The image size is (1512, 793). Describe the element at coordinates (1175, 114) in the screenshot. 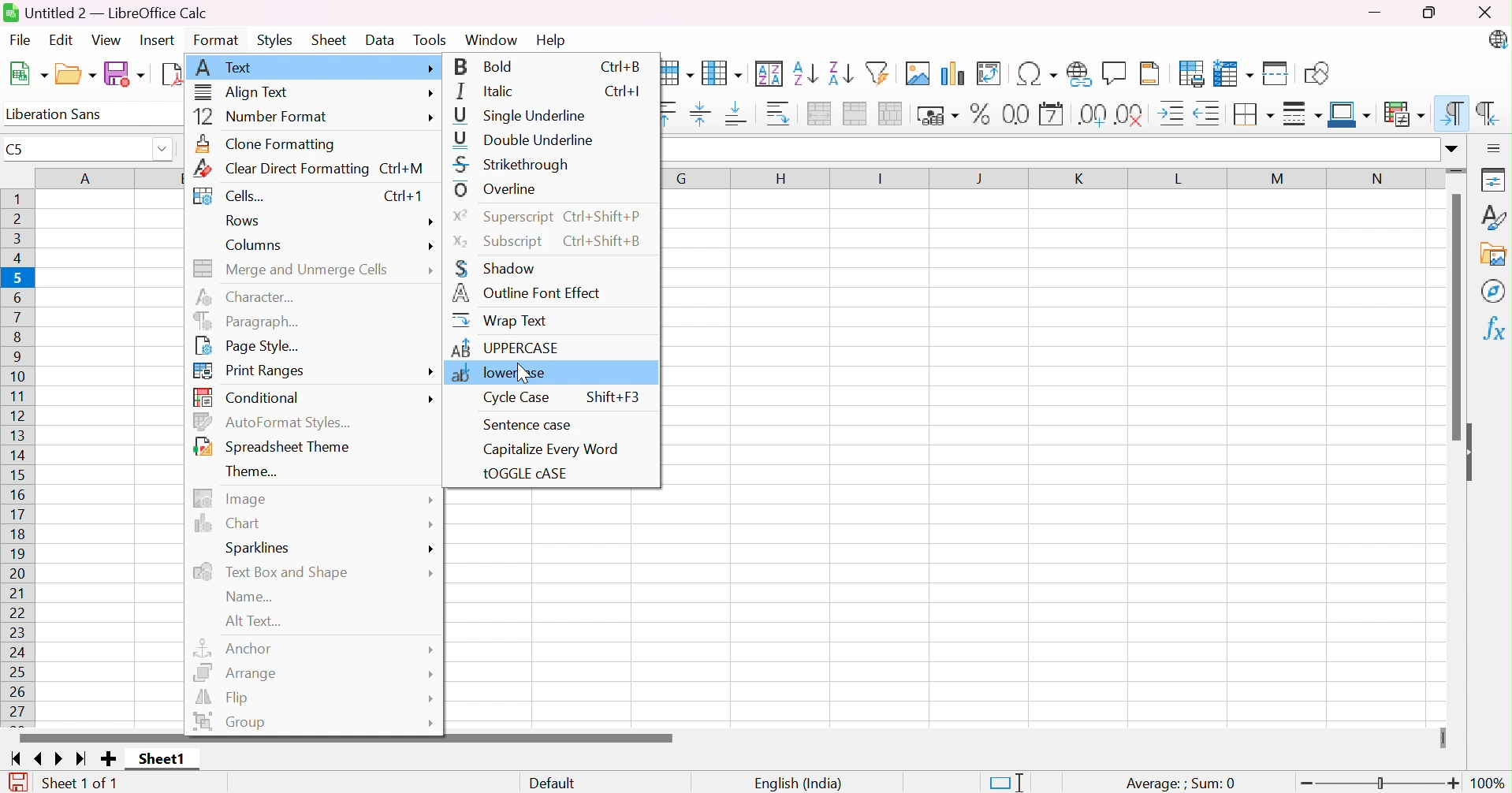

I see `Increase Indent` at that location.